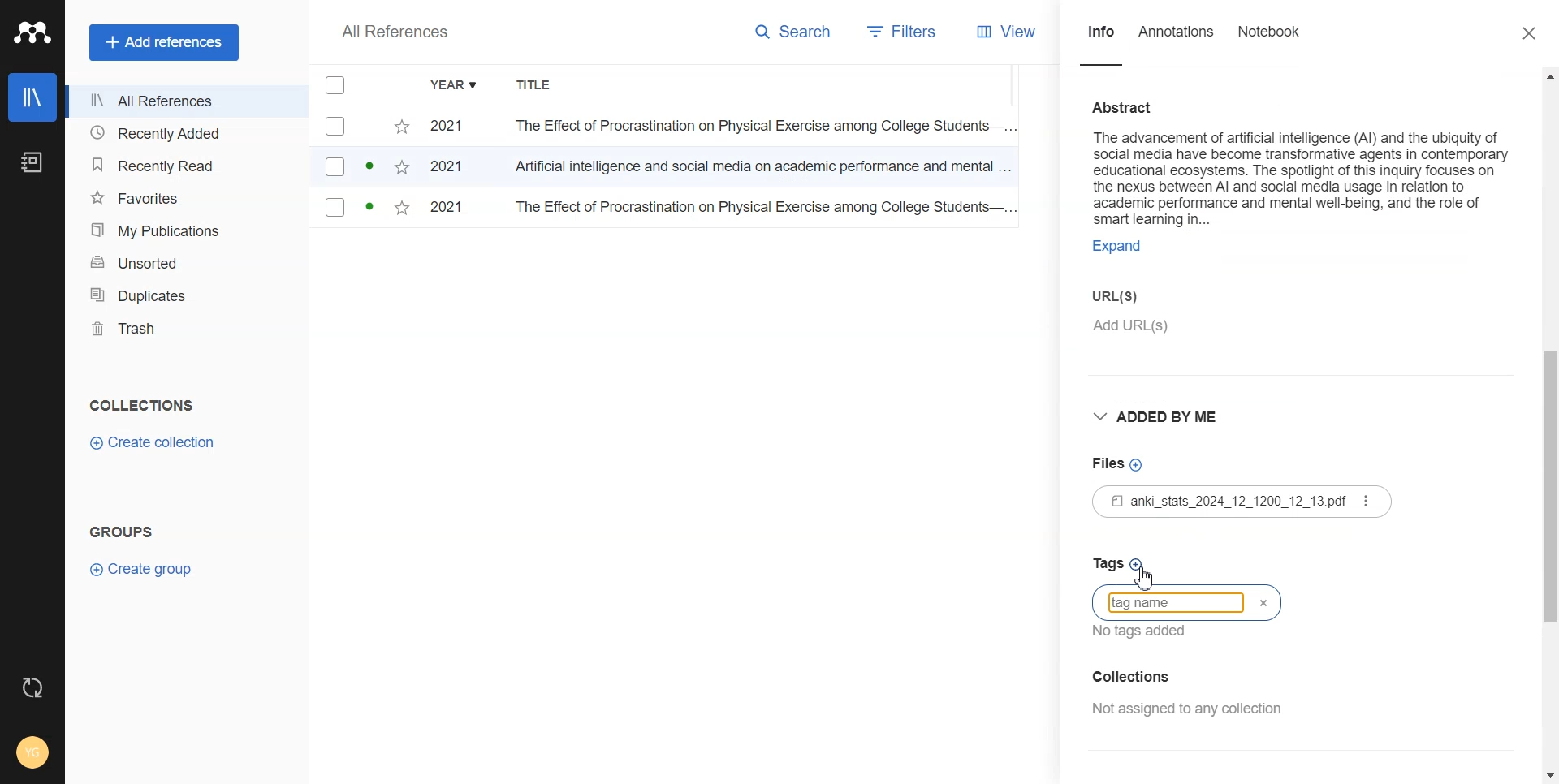 The image size is (1559, 784). What do you see at coordinates (1271, 41) in the screenshot?
I see `Notebook` at bounding box center [1271, 41].